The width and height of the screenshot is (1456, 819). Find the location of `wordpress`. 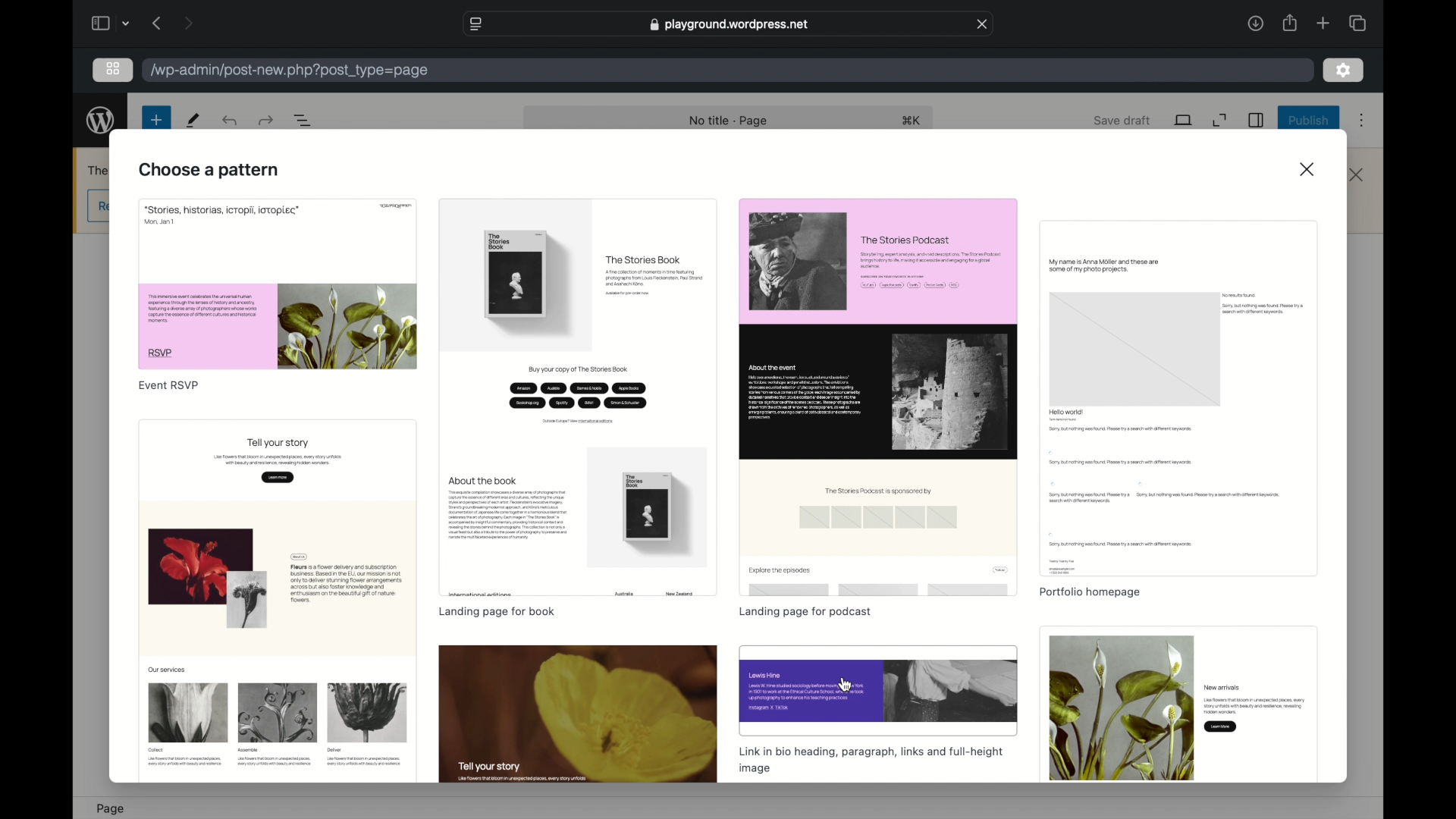

wordpress is located at coordinates (100, 120).